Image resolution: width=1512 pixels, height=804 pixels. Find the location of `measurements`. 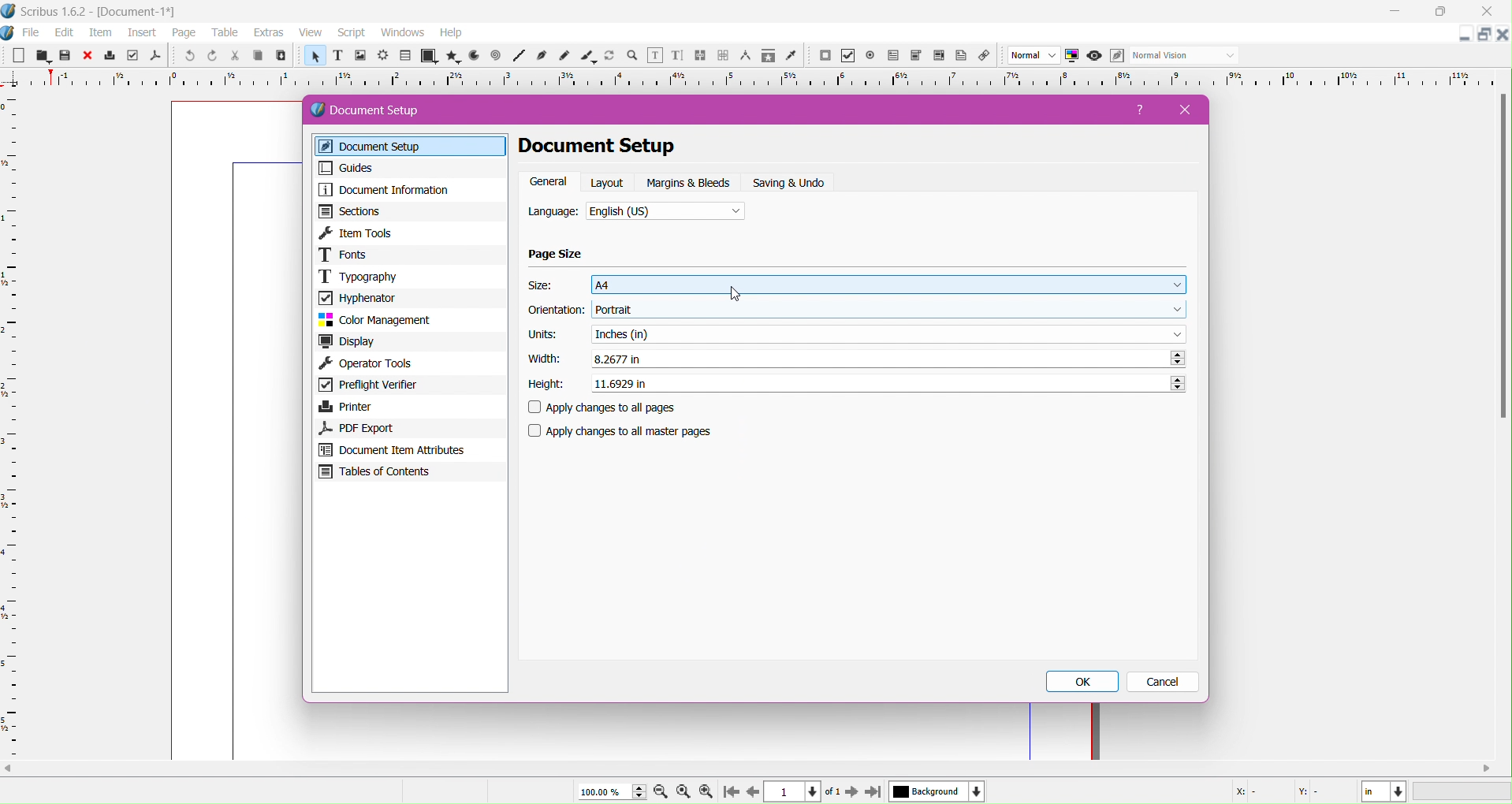

measurements is located at coordinates (745, 57).